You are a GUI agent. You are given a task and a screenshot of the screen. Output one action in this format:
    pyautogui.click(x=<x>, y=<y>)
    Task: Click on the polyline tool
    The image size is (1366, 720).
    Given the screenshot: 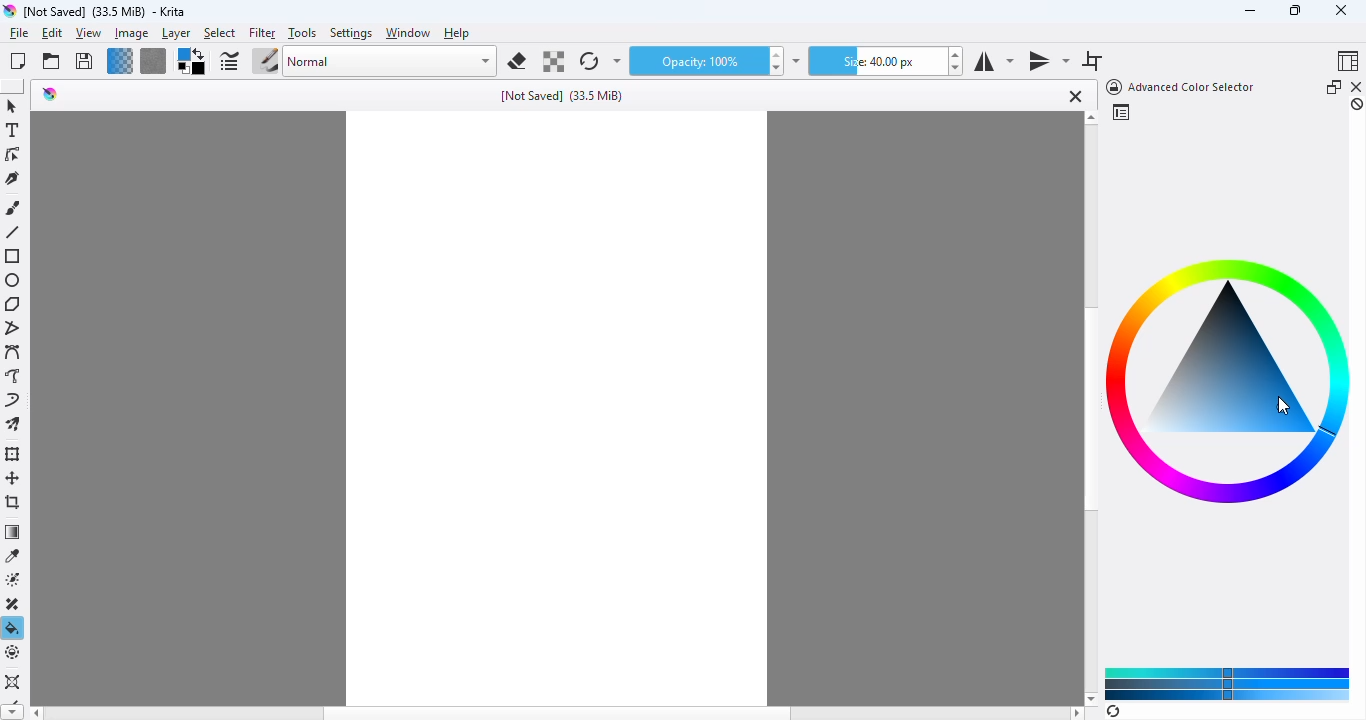 What is the action you would take?
    pyautogui.click(x=15, y=328)
    